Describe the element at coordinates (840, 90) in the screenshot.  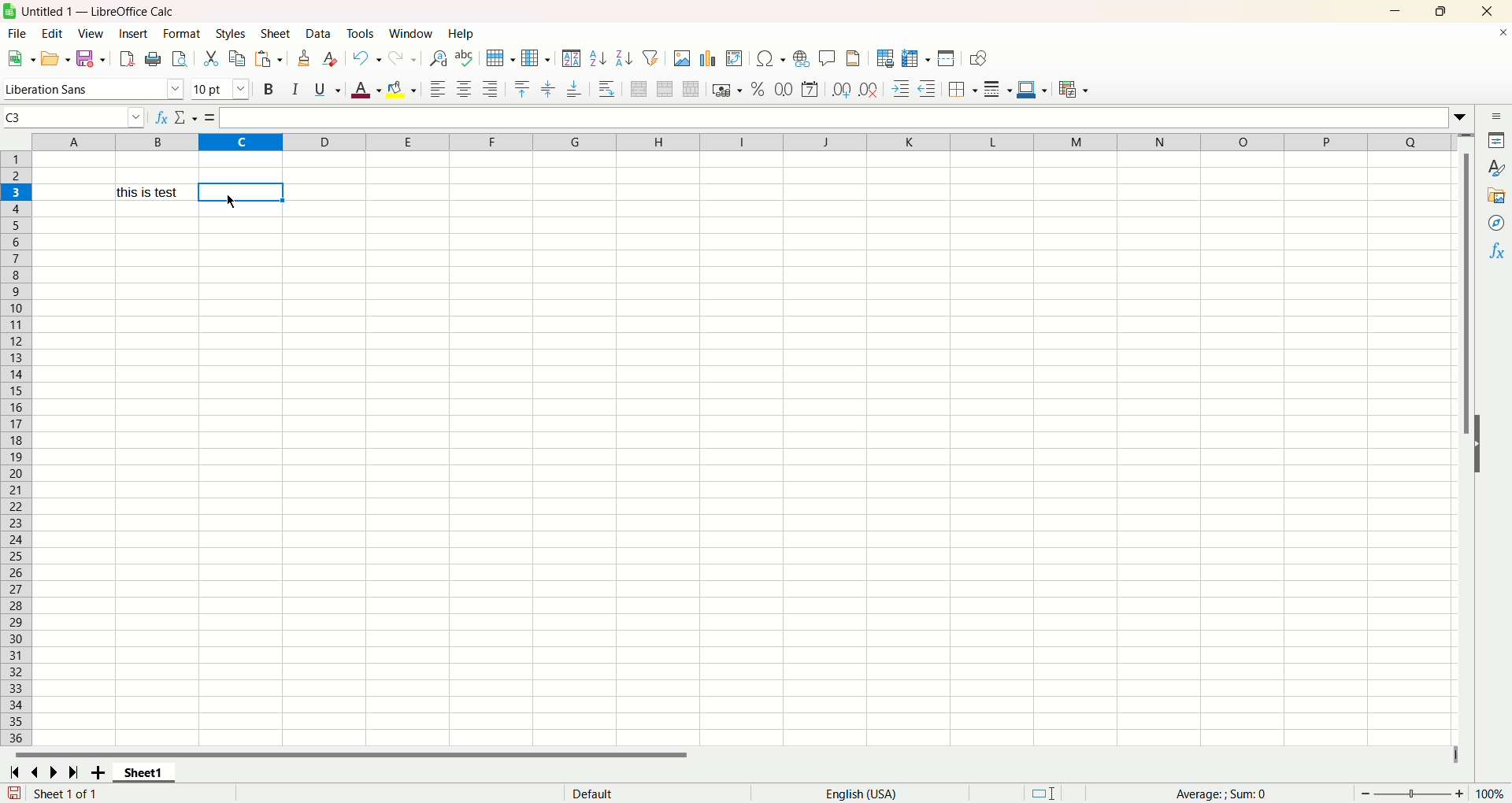
I see `add decimal places` at that location.